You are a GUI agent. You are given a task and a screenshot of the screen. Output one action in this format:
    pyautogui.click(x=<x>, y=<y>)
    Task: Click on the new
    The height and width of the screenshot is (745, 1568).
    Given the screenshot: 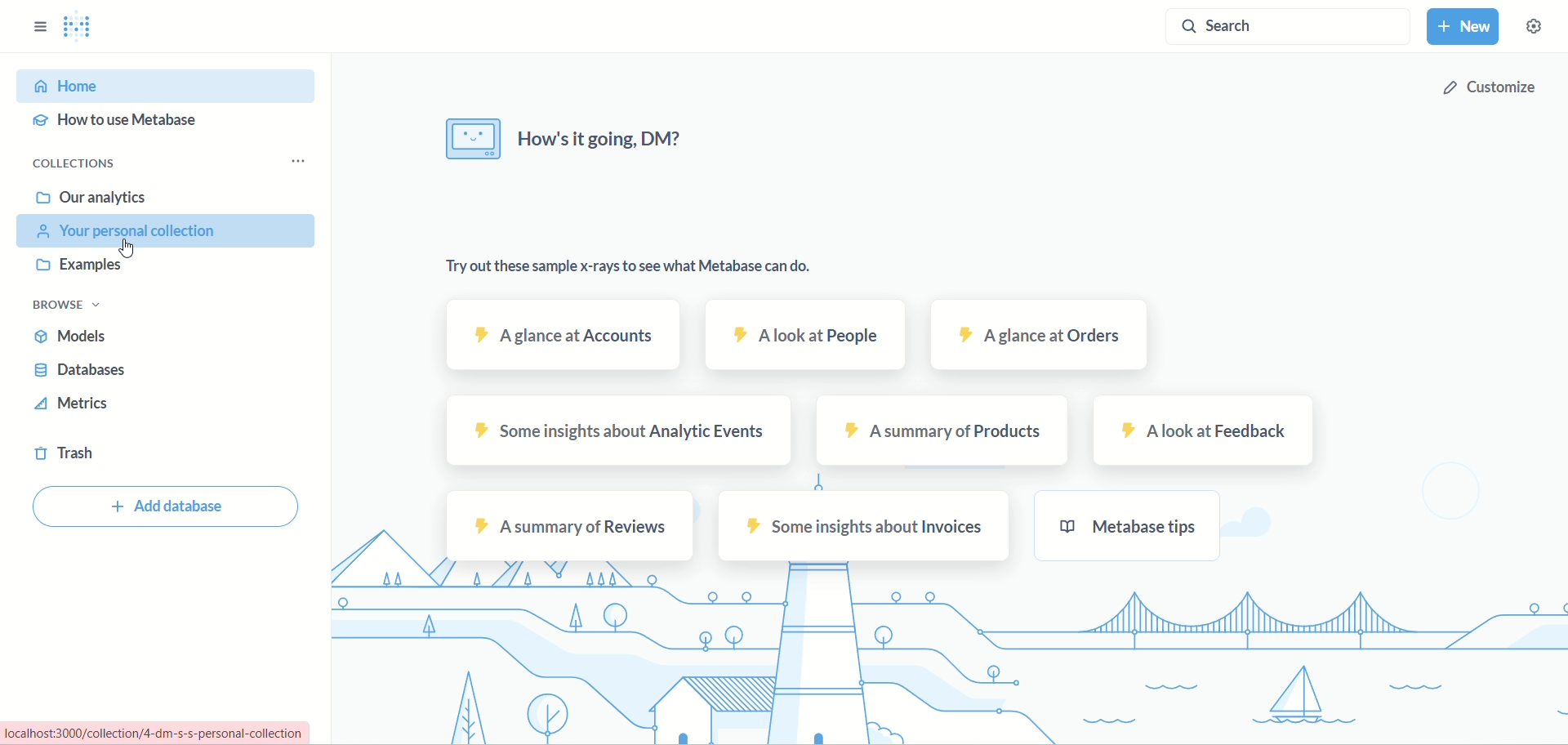 What is the action you would take?
    pyautogui.click(x=1466, y=29)
    